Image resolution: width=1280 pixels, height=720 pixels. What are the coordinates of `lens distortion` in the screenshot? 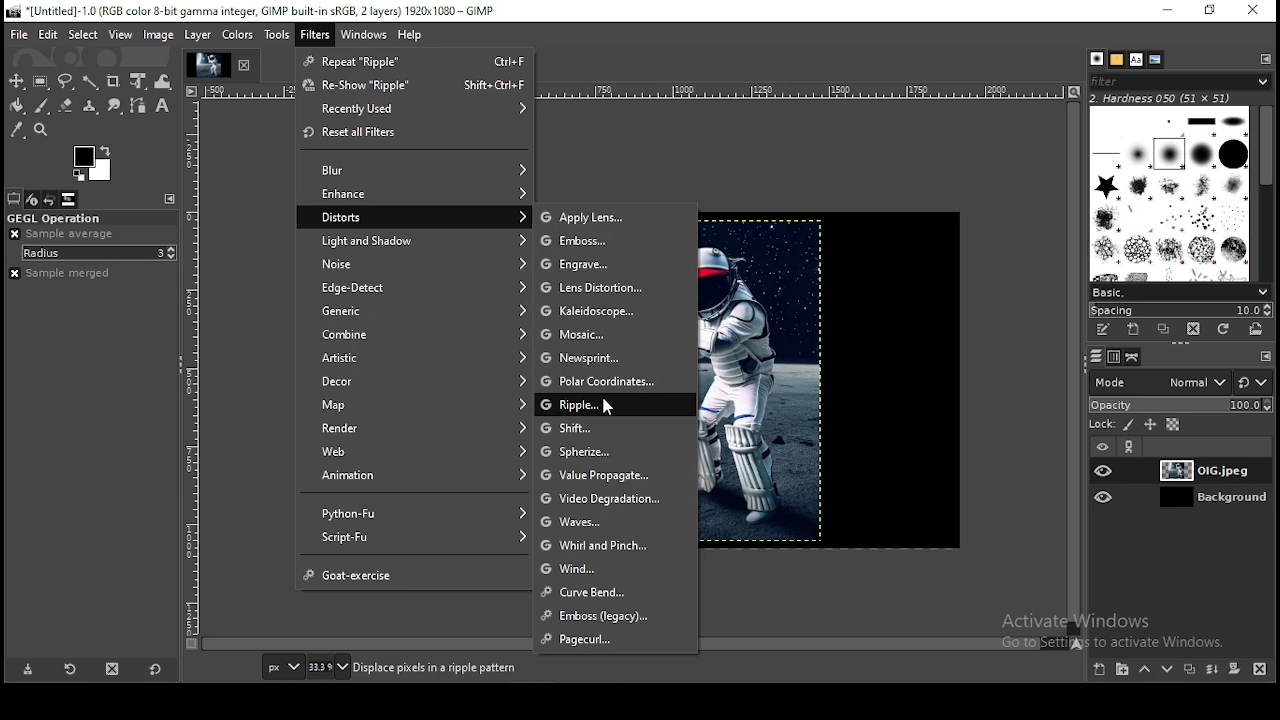 It's located at (600, 288).